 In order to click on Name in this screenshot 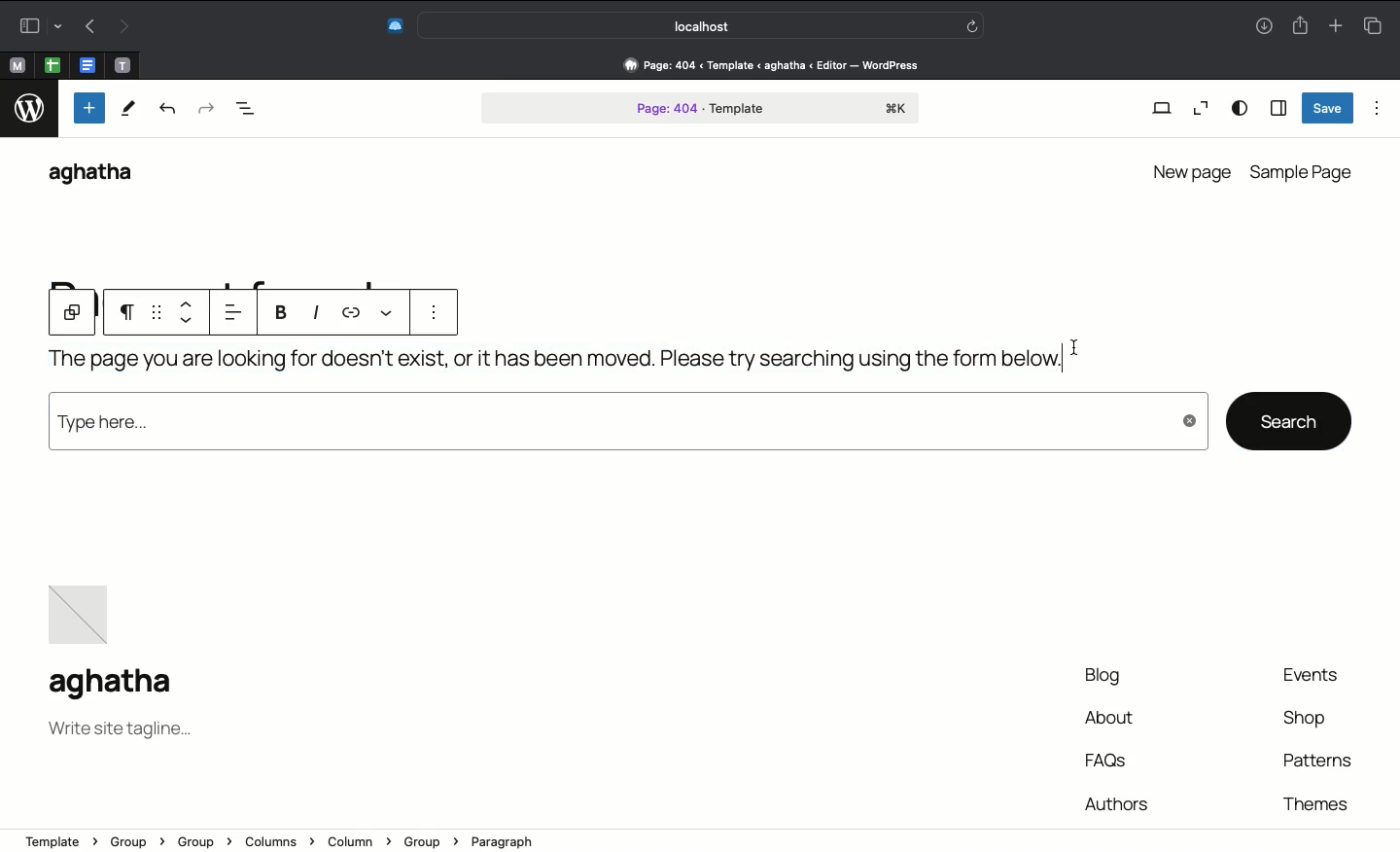, I will do `click(118, 685)`.